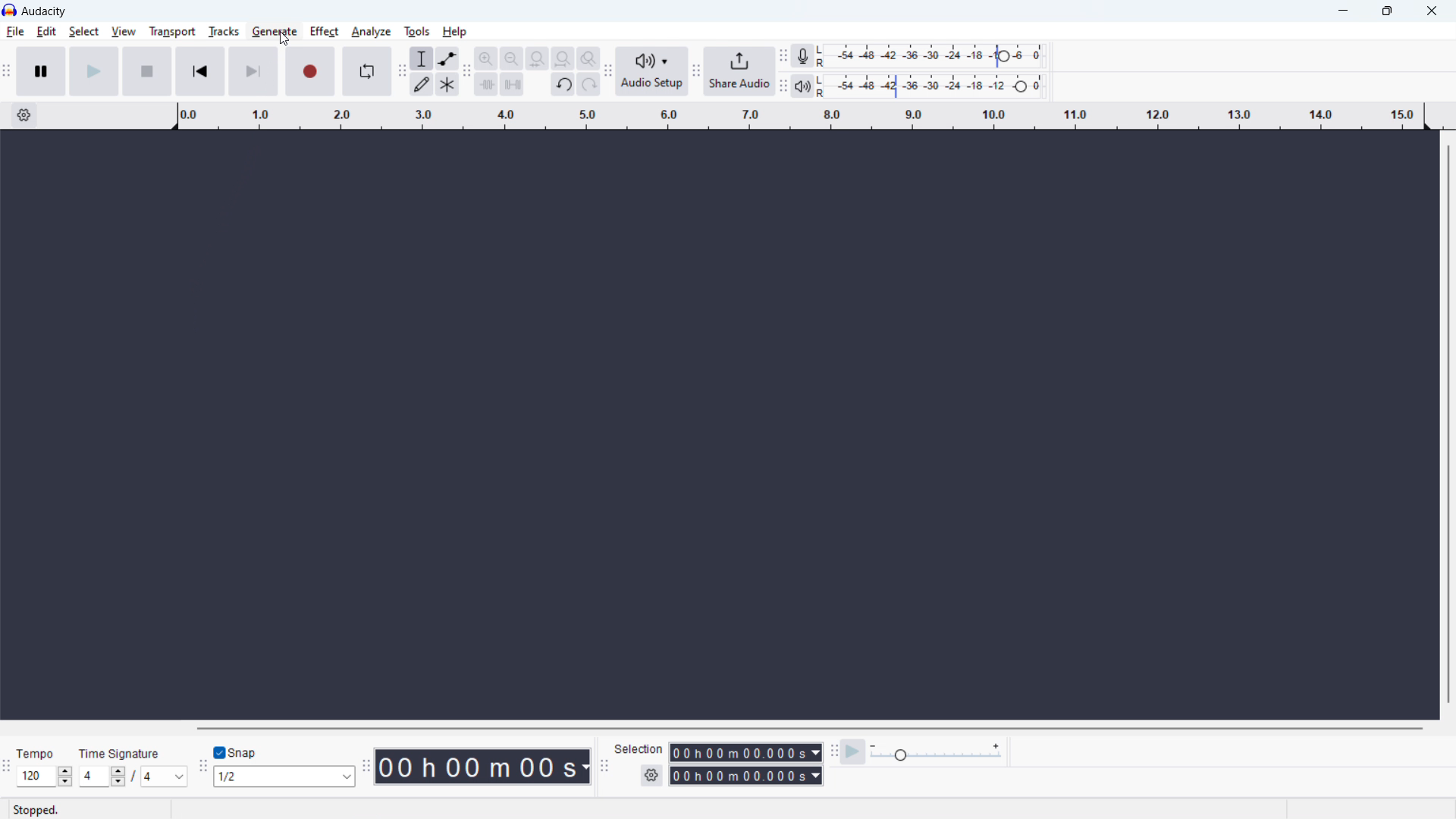 The width and height of the screenshot is (1456, 819). Describe the element at coordinates (639, 748) in the screenshot. I see `selection` at that location.